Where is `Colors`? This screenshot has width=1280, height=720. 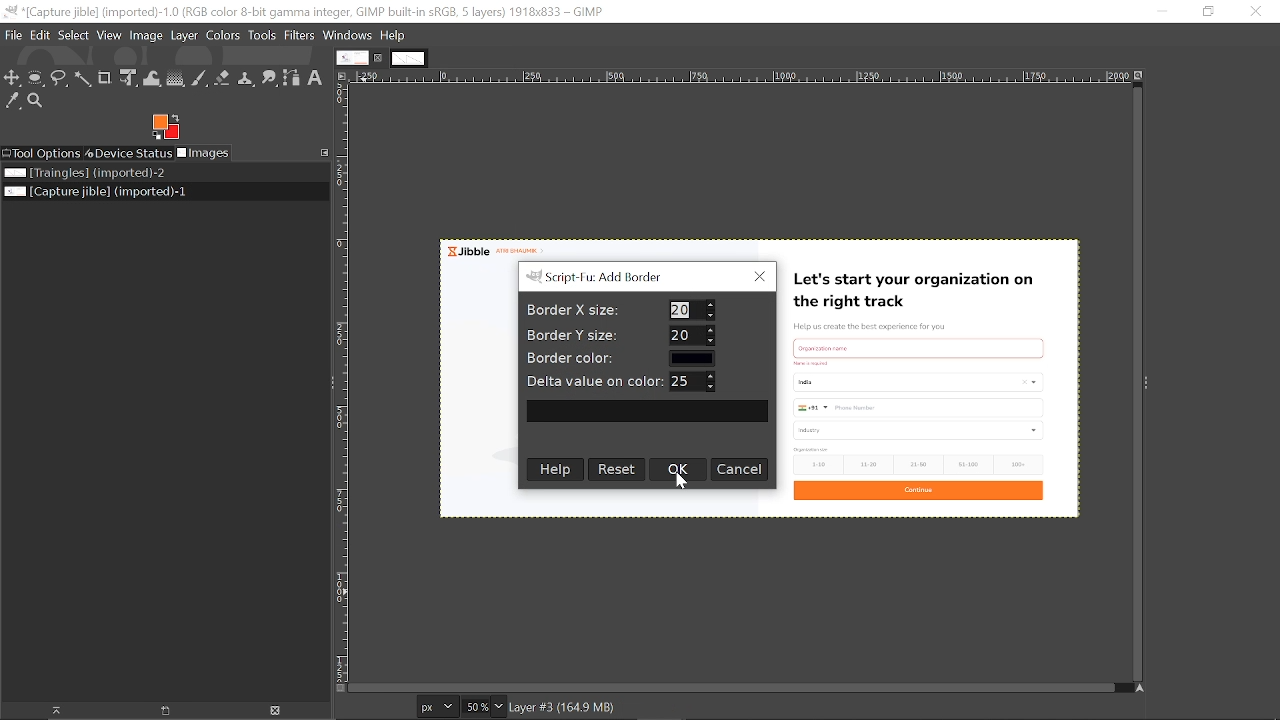
Colors is located at coordinates (222, 35).